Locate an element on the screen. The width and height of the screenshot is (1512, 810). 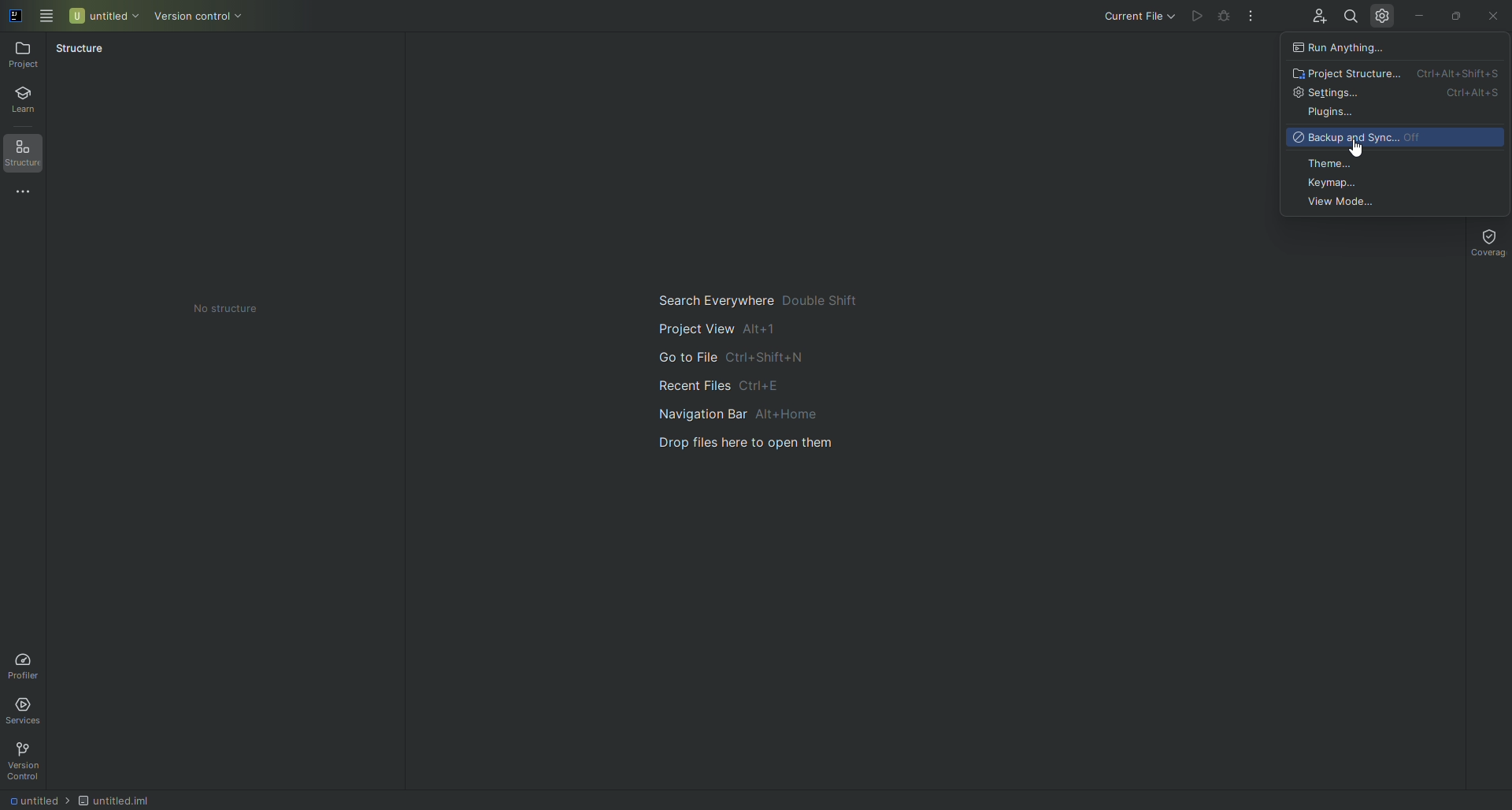
Main Menu is located at coordinates (47, 14).